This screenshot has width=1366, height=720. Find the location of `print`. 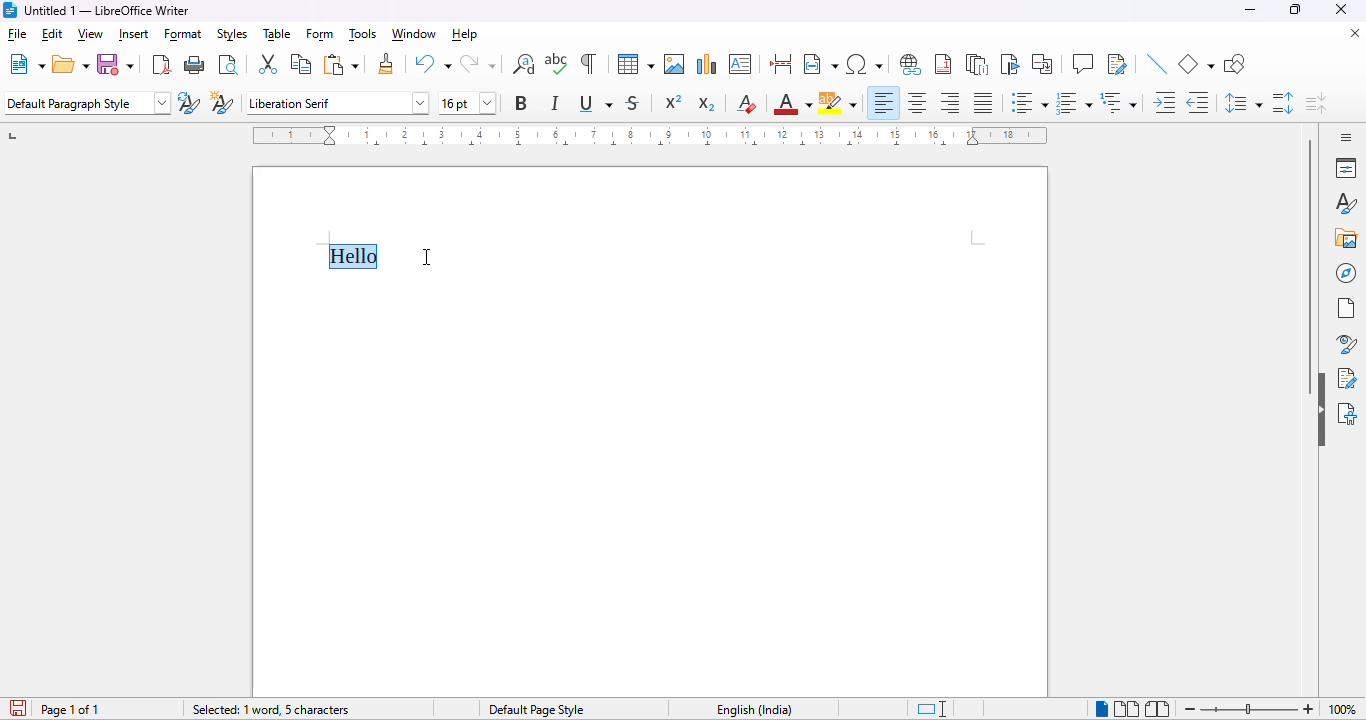

print is located at coordinates (196, 65).